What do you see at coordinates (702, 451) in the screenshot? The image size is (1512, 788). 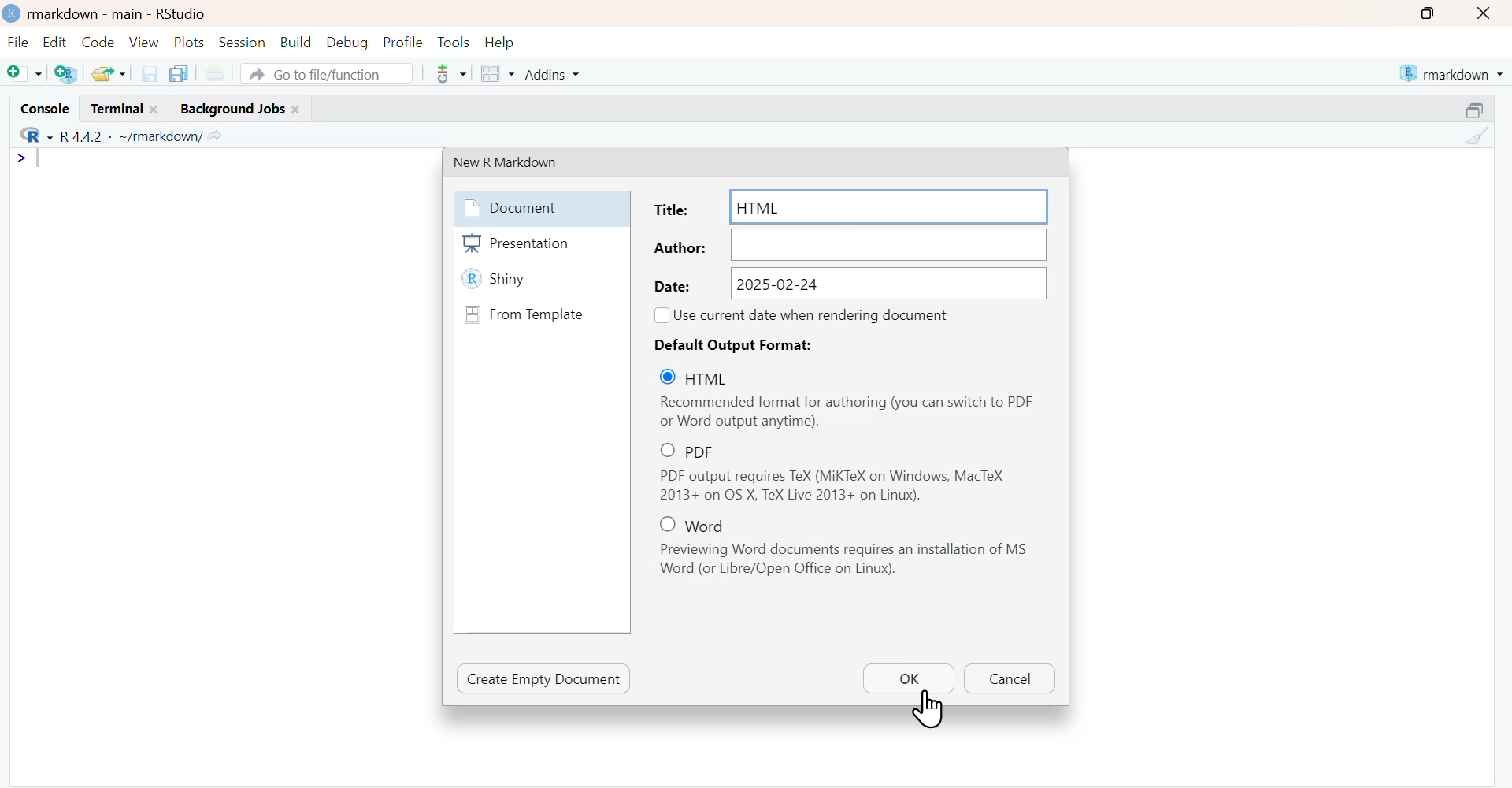 I see `PDF` at bounding box center [702, 451].